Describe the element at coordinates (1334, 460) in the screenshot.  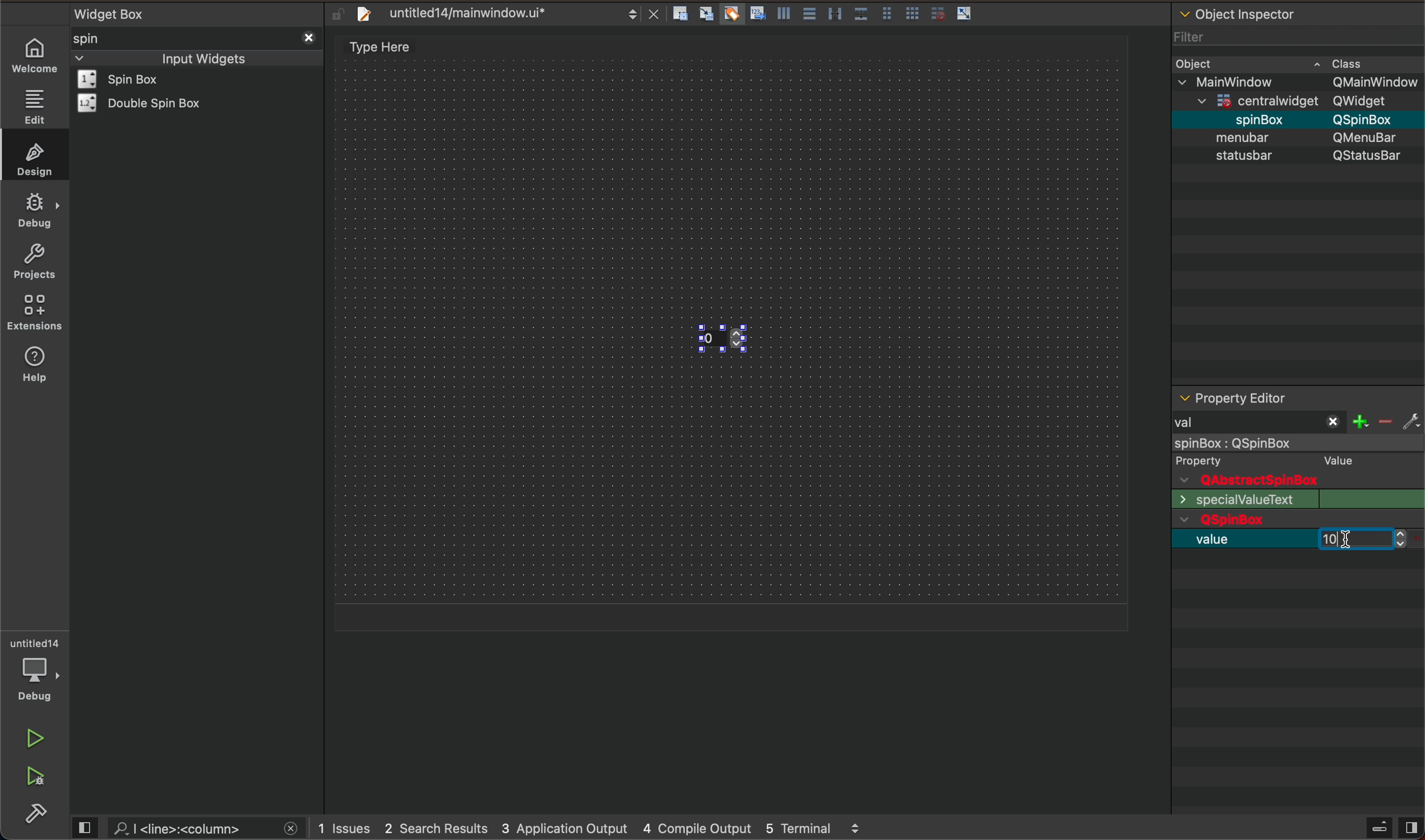
I see `text` at that location.